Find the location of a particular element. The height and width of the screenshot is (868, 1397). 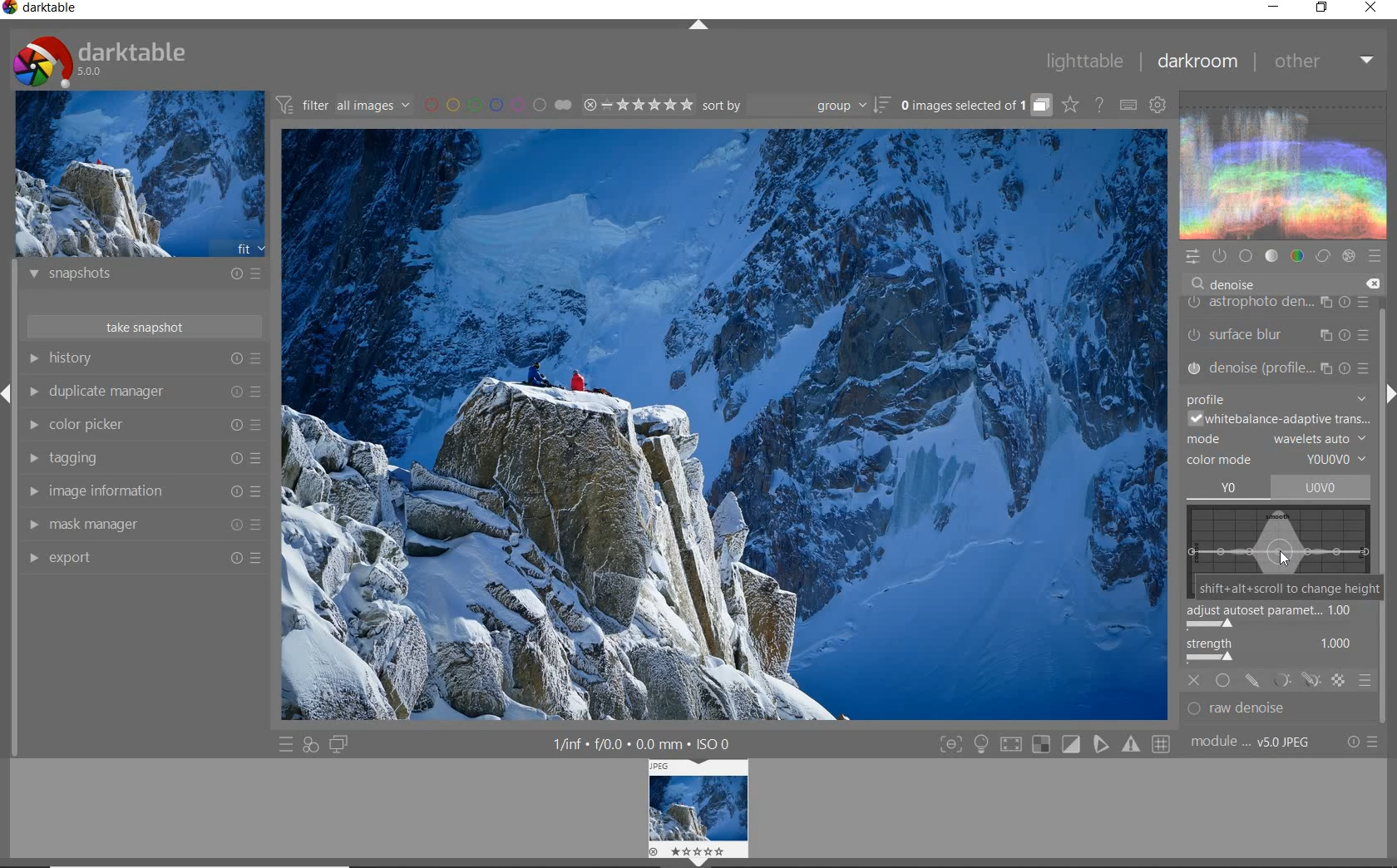

MODE is located at coordinates (1277, 437).